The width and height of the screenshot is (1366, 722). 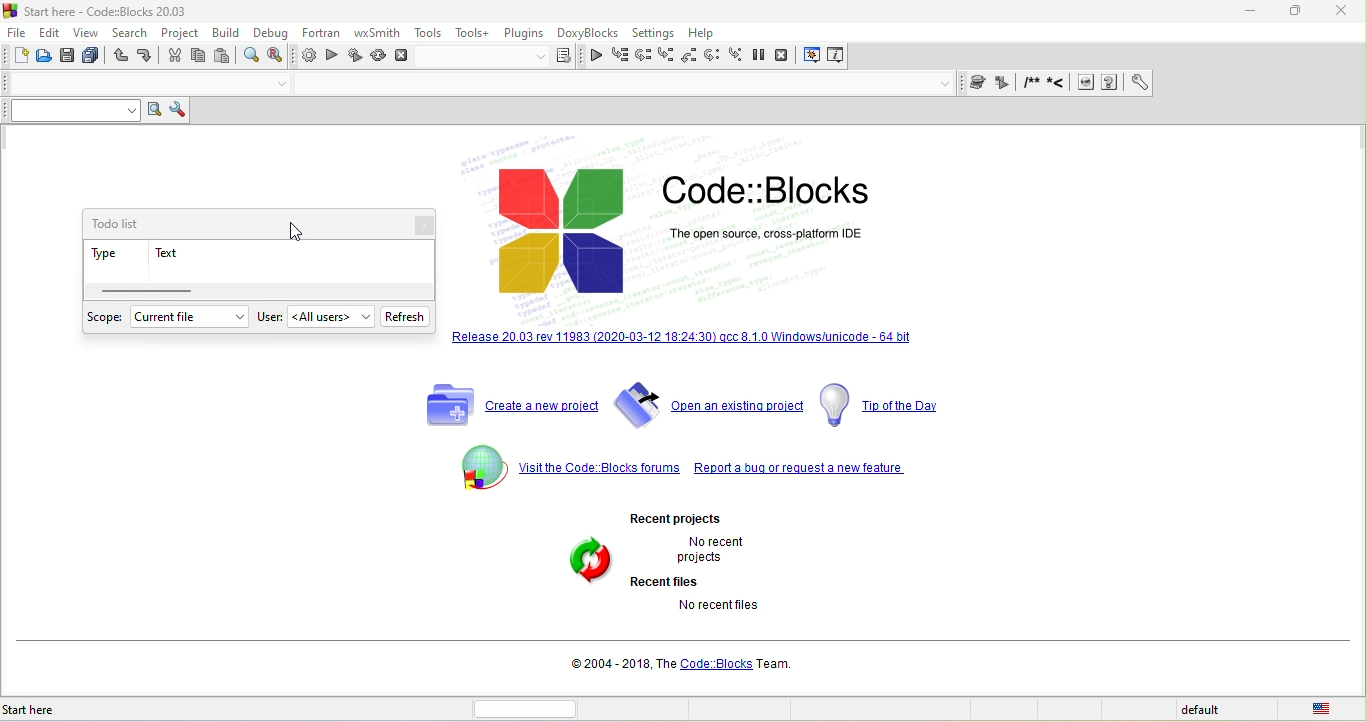 What do you see at coordinates (226, 57) in the screenshot?
I see `paste` at bounding box center [226, 57].